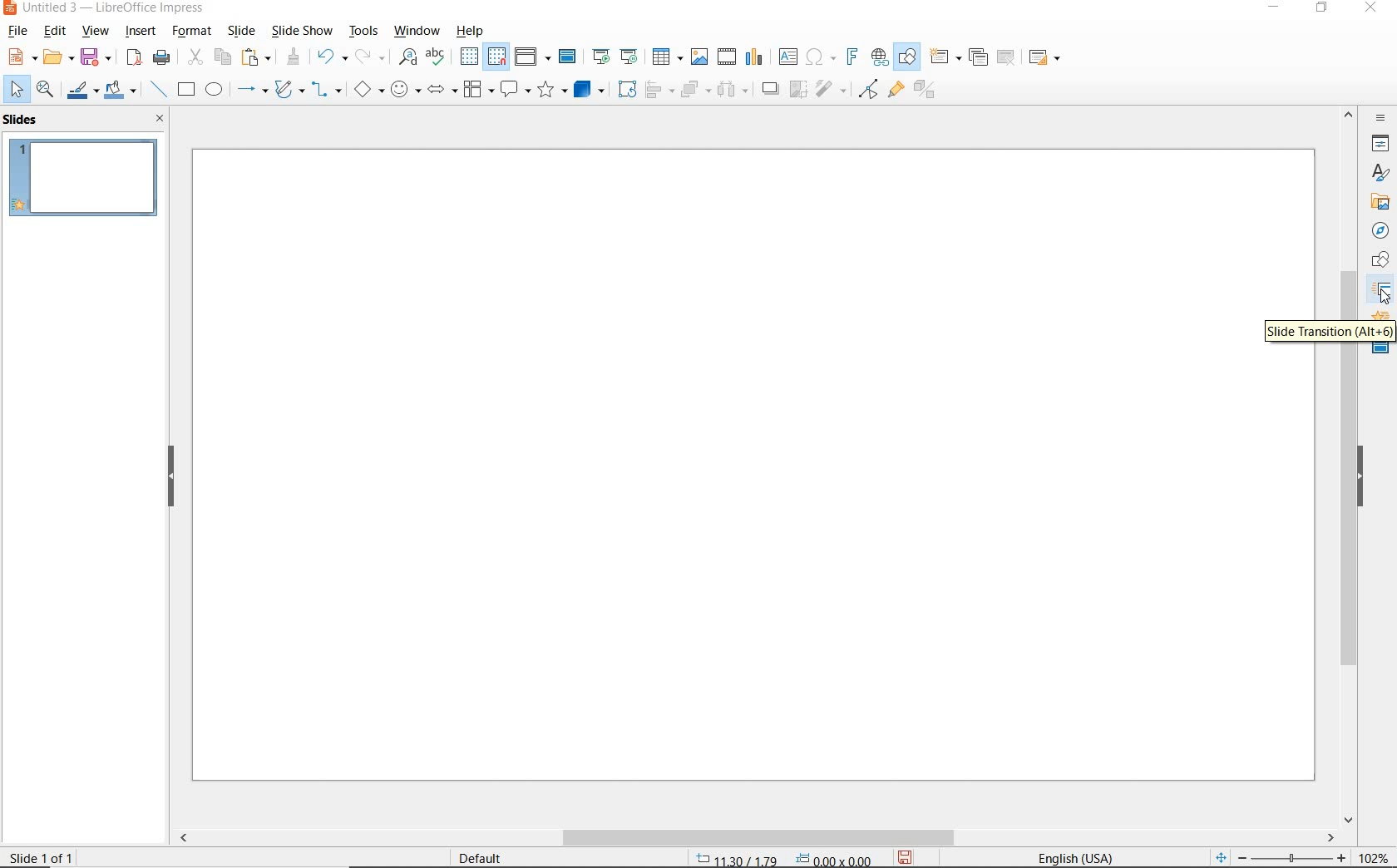  I want to click on TABLE, so click(668, 57).